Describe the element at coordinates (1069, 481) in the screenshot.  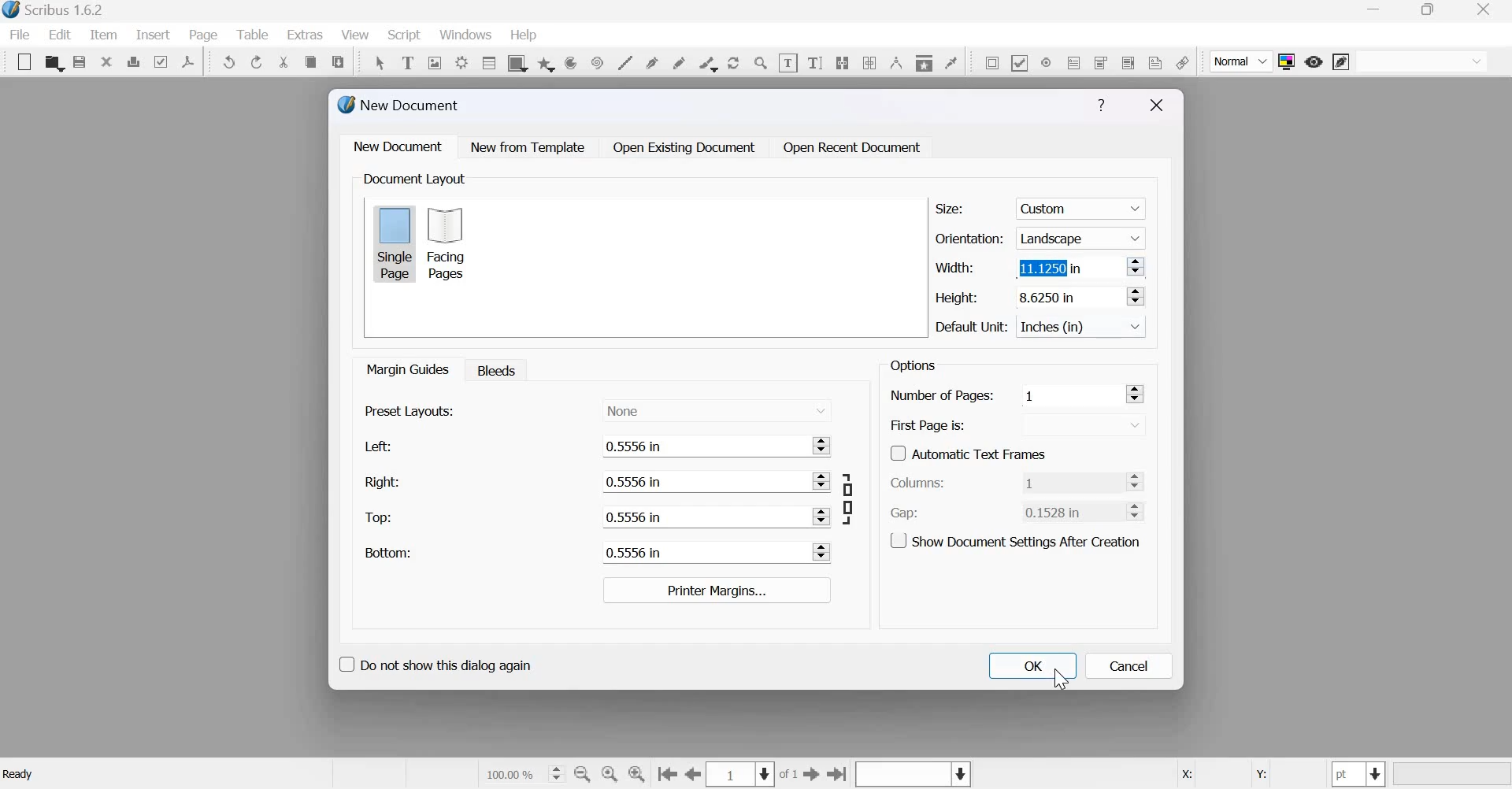
I see `1` at that location.